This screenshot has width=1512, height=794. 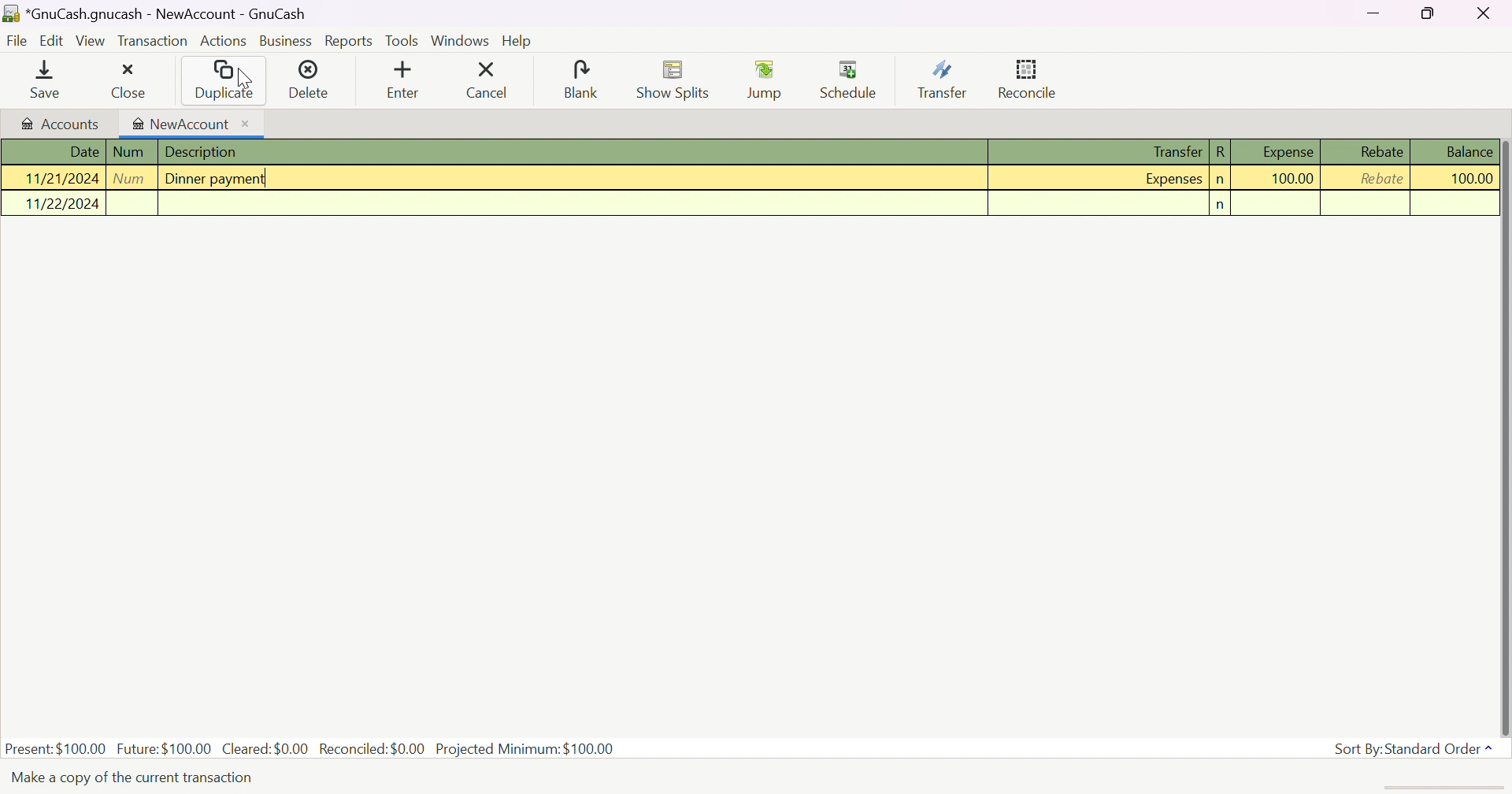 What do you see at coordinates (462, 42) in the screenshot?
I see `Windows` at bounding box center [462, 42].